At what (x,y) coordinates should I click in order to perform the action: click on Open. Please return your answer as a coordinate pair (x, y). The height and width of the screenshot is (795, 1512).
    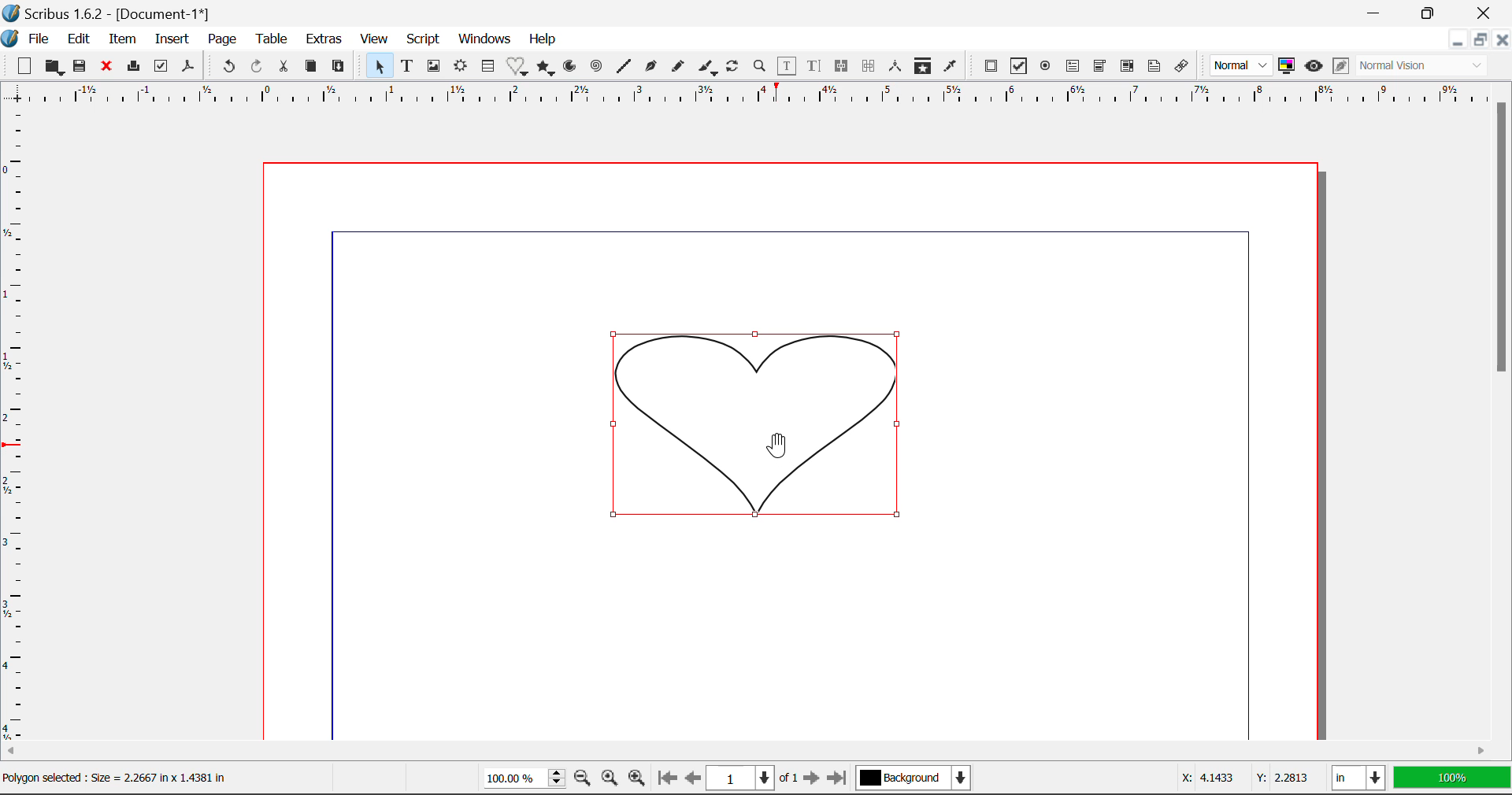
    Looking at the image, I should click on (55, 67).